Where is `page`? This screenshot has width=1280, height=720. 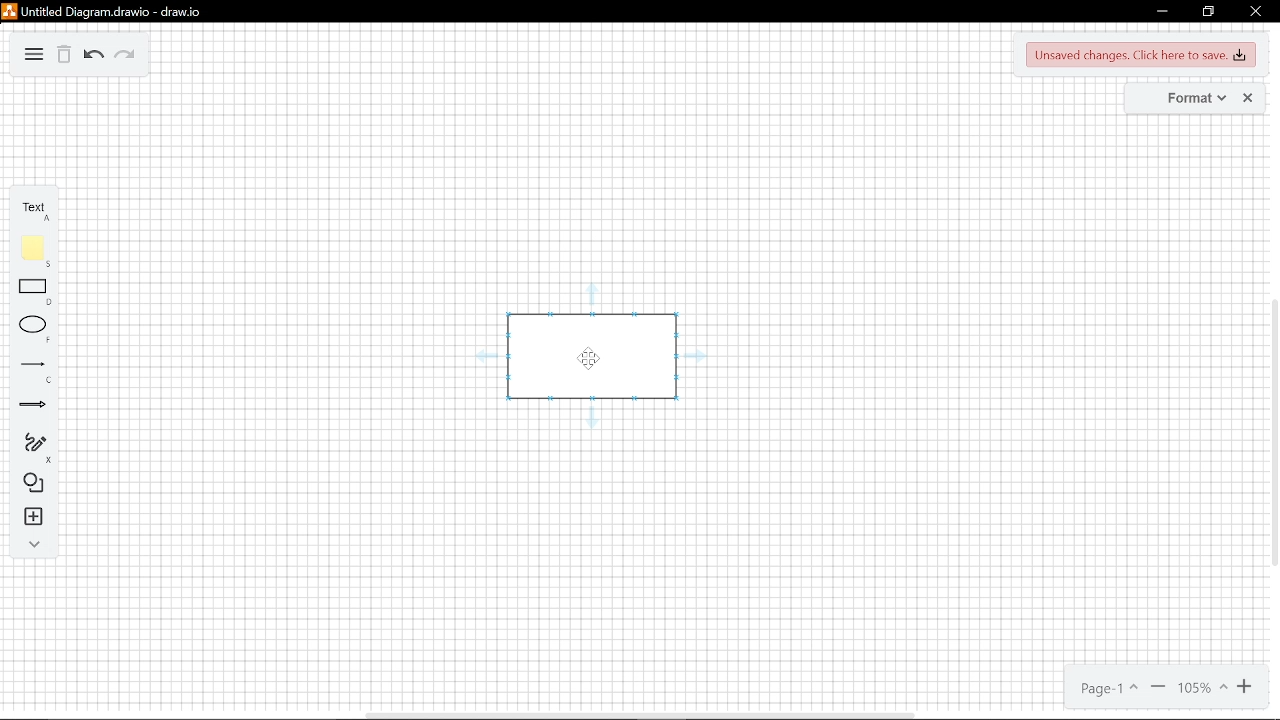
page is located at coordinates (1106, 686).